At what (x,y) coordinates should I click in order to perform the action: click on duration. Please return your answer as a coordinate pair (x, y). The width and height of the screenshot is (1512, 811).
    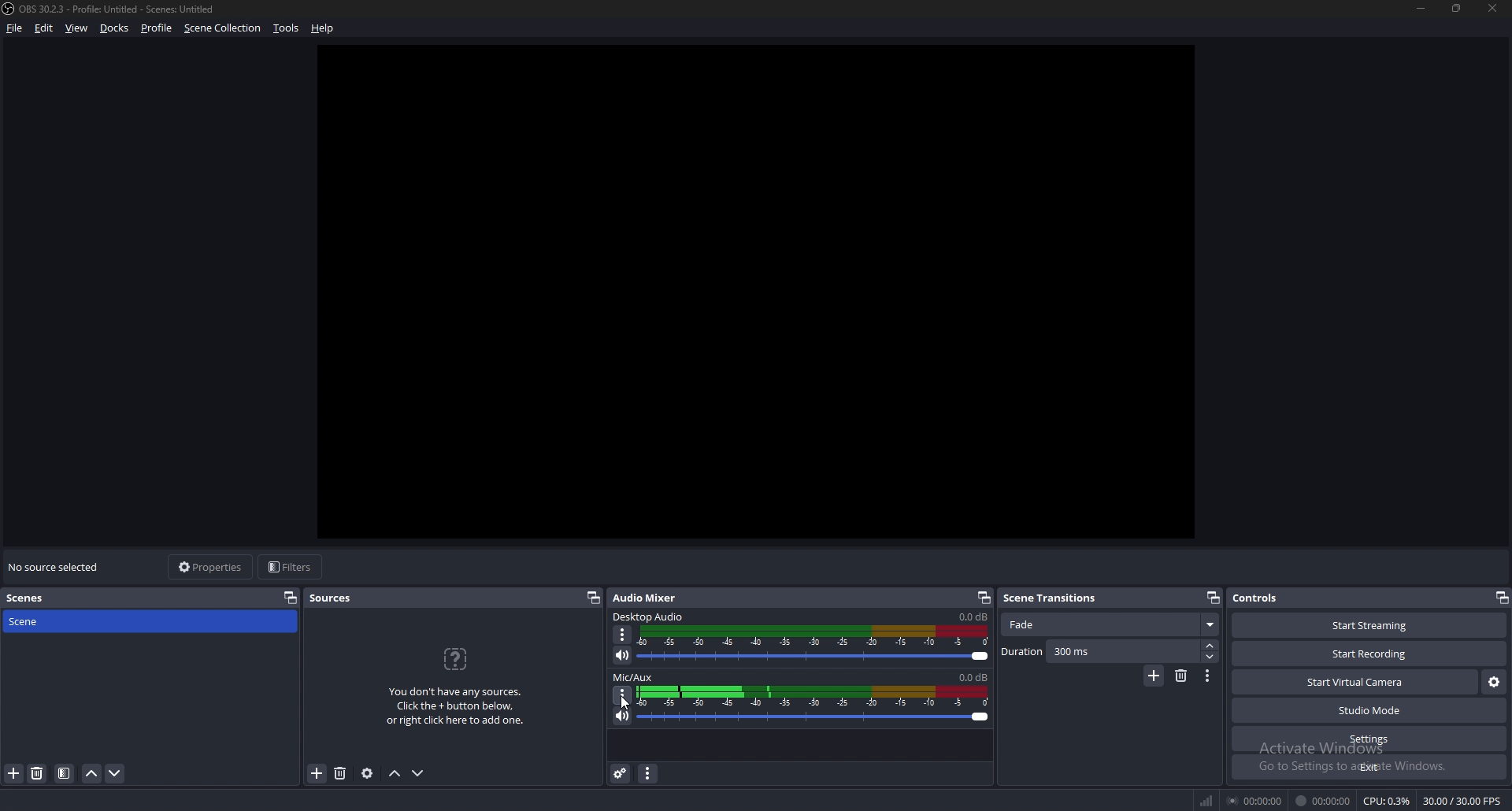
    Looking at the image, I should click on (1099, 651).